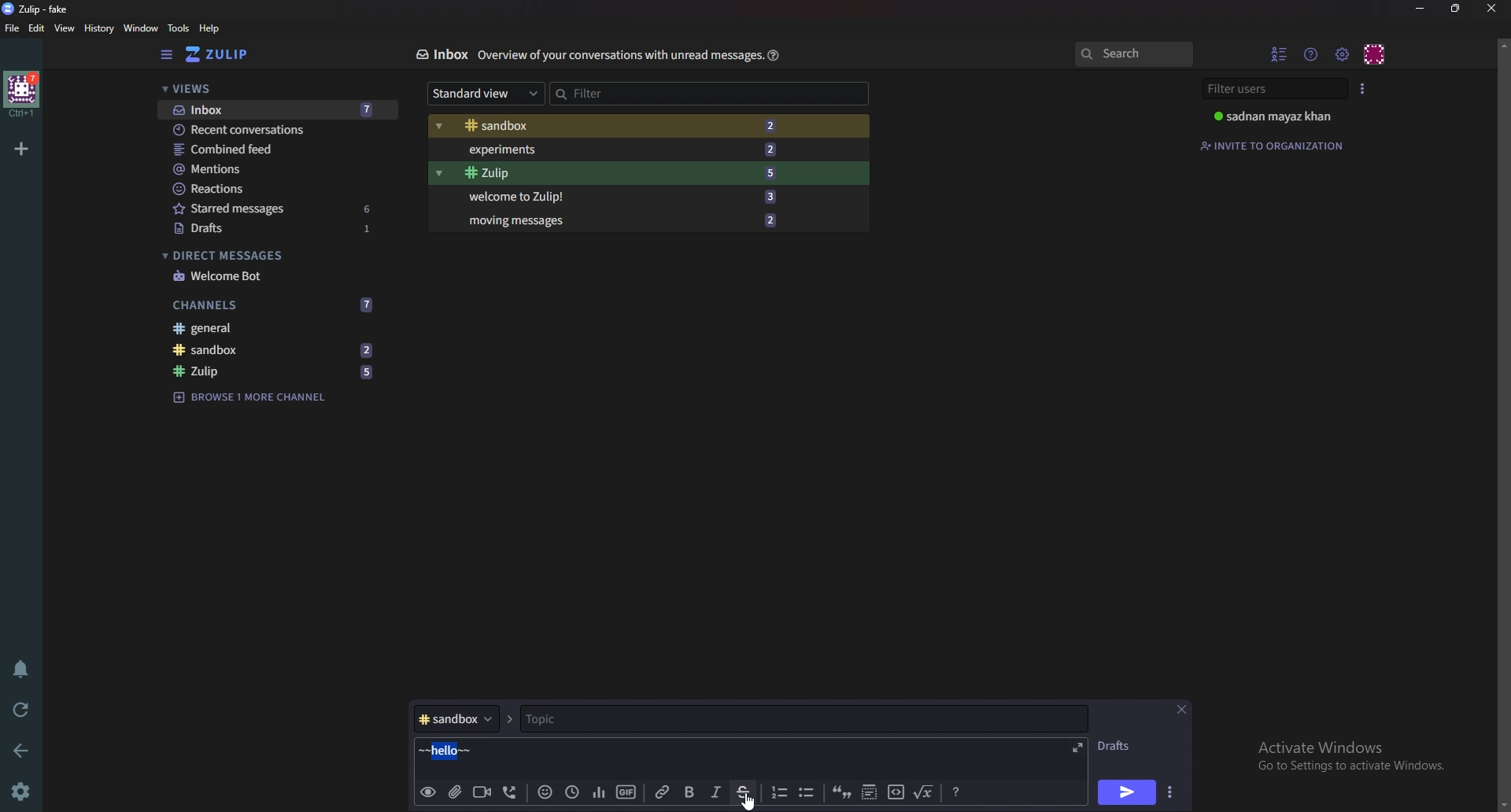  What do you see at coordinates (65, 27) in the screenshot?
I see `view` at bounding box center [65, 27].